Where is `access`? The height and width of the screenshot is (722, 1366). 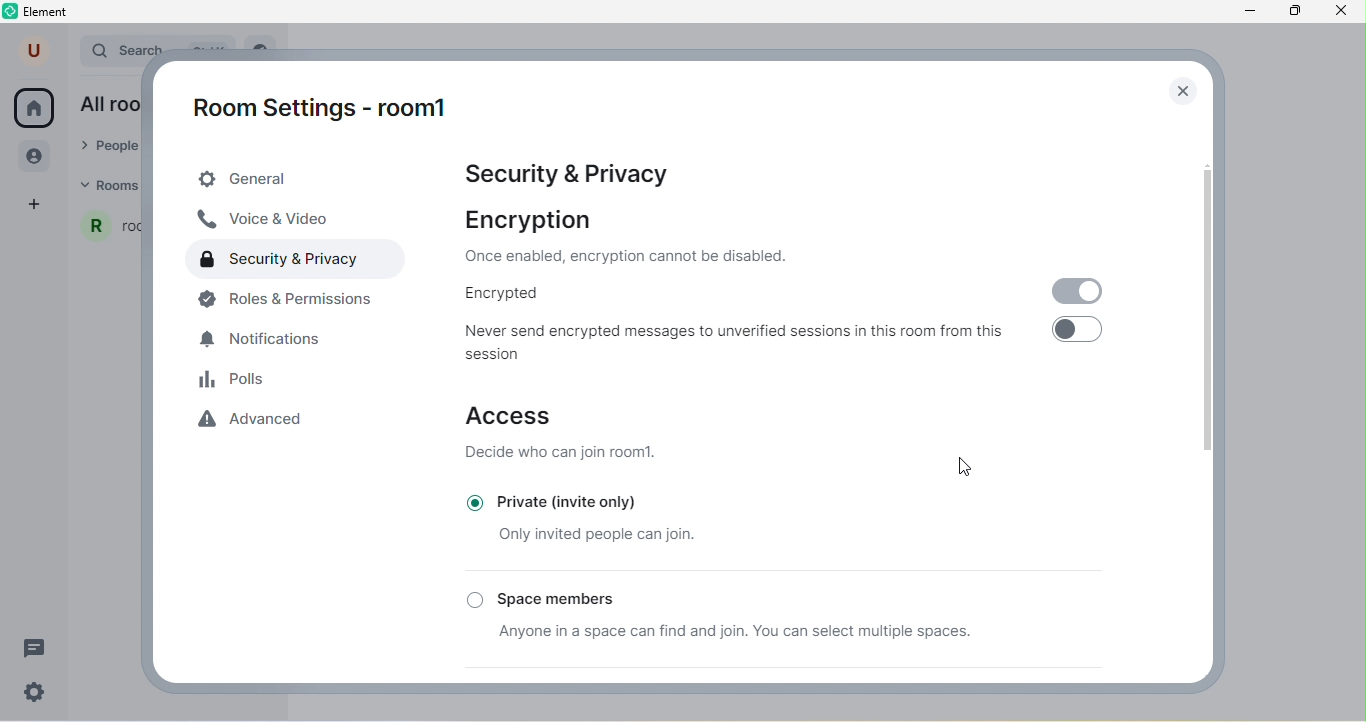
access is located at coordinates (511, 416).